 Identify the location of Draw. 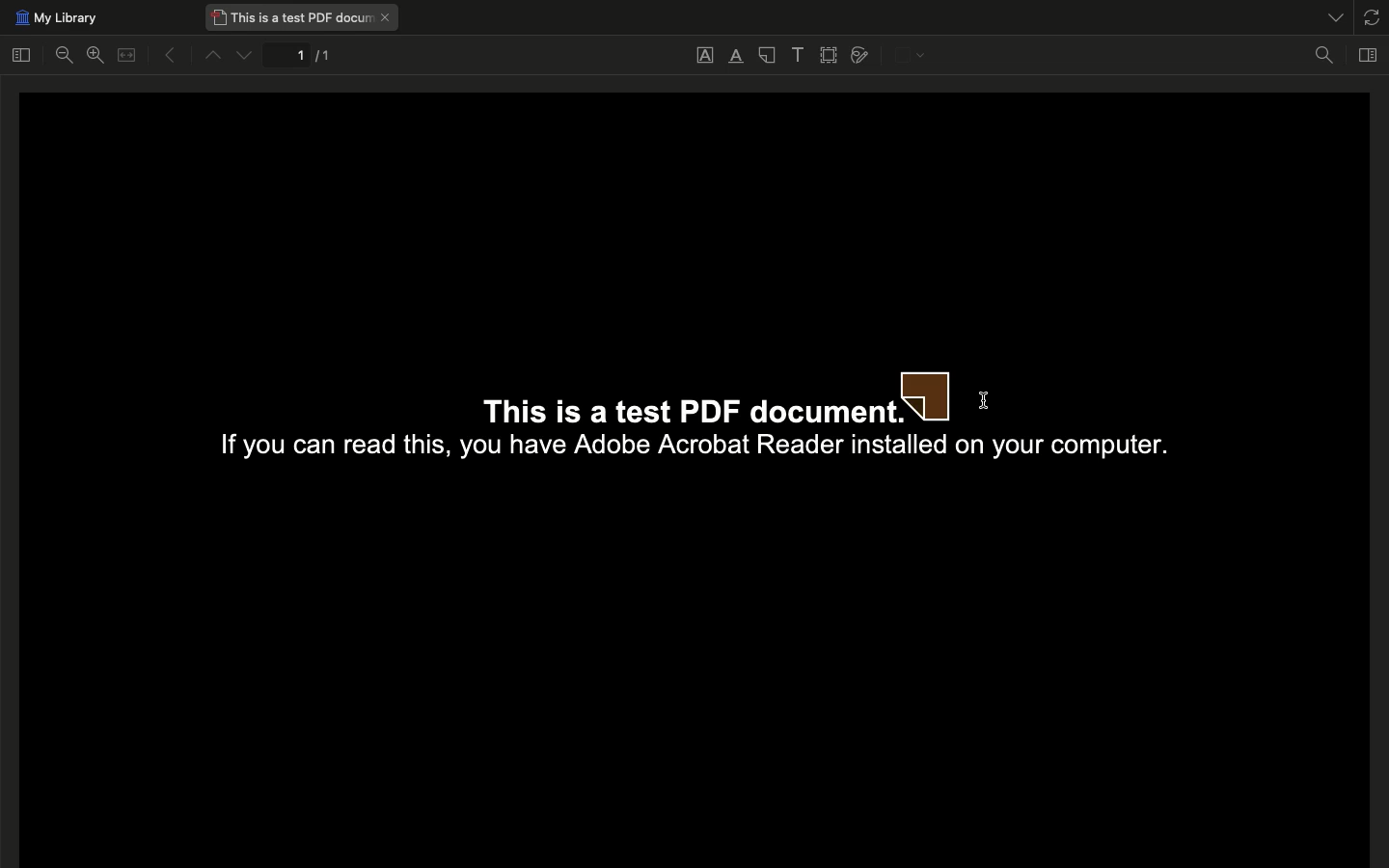
(860, 54).